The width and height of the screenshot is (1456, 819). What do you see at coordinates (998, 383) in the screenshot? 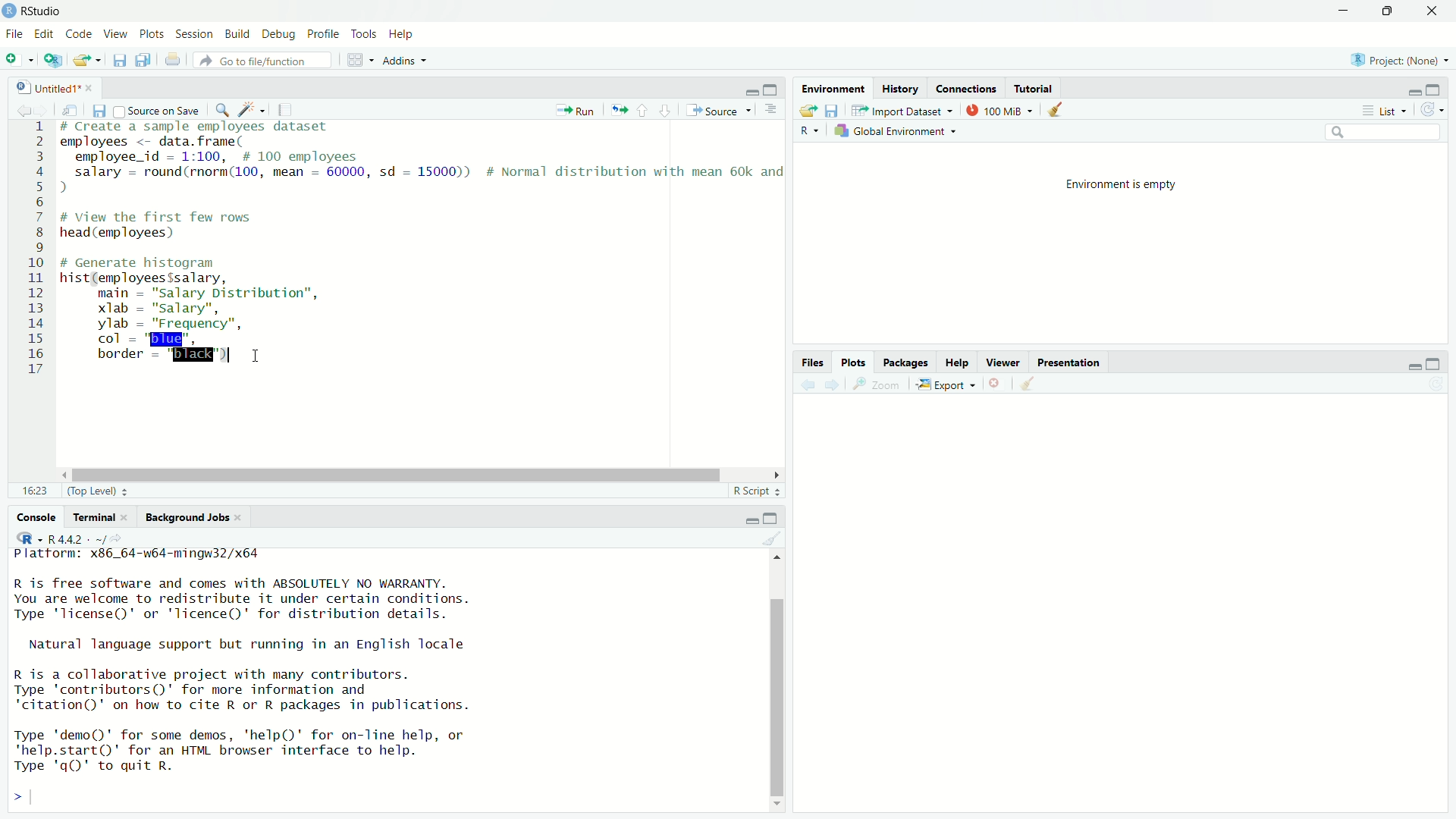
I see `close` at bounding box center [998, 383].